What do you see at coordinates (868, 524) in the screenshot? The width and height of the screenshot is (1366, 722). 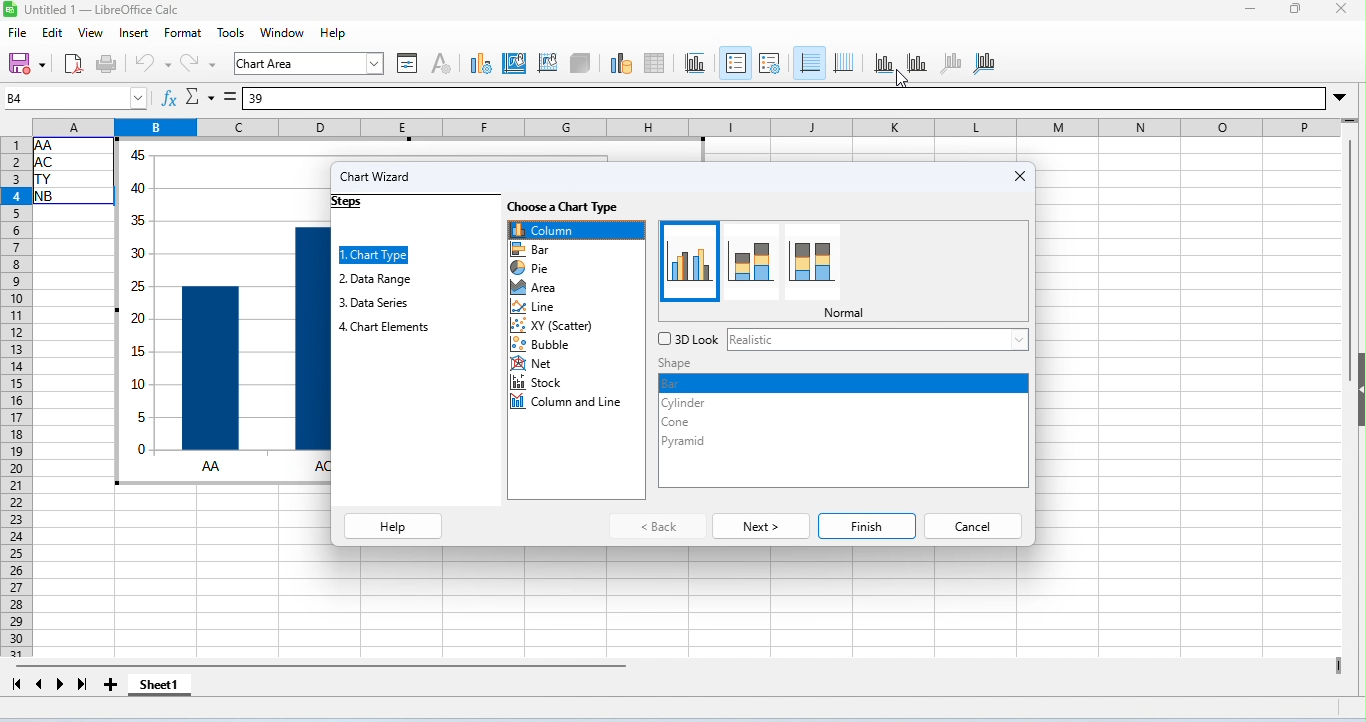 I see `finish` at bounding box center [868, 524].